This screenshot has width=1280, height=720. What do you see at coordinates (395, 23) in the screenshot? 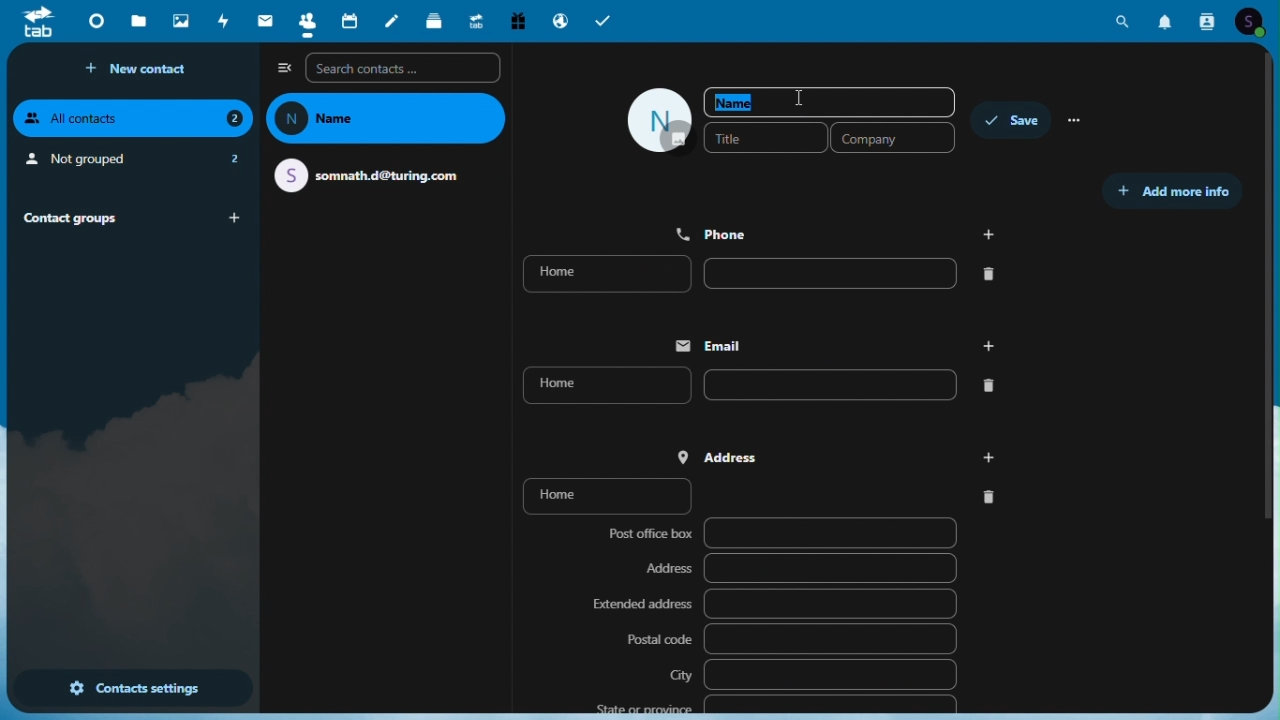
I see `Notes` at bounding box center [395, 23].